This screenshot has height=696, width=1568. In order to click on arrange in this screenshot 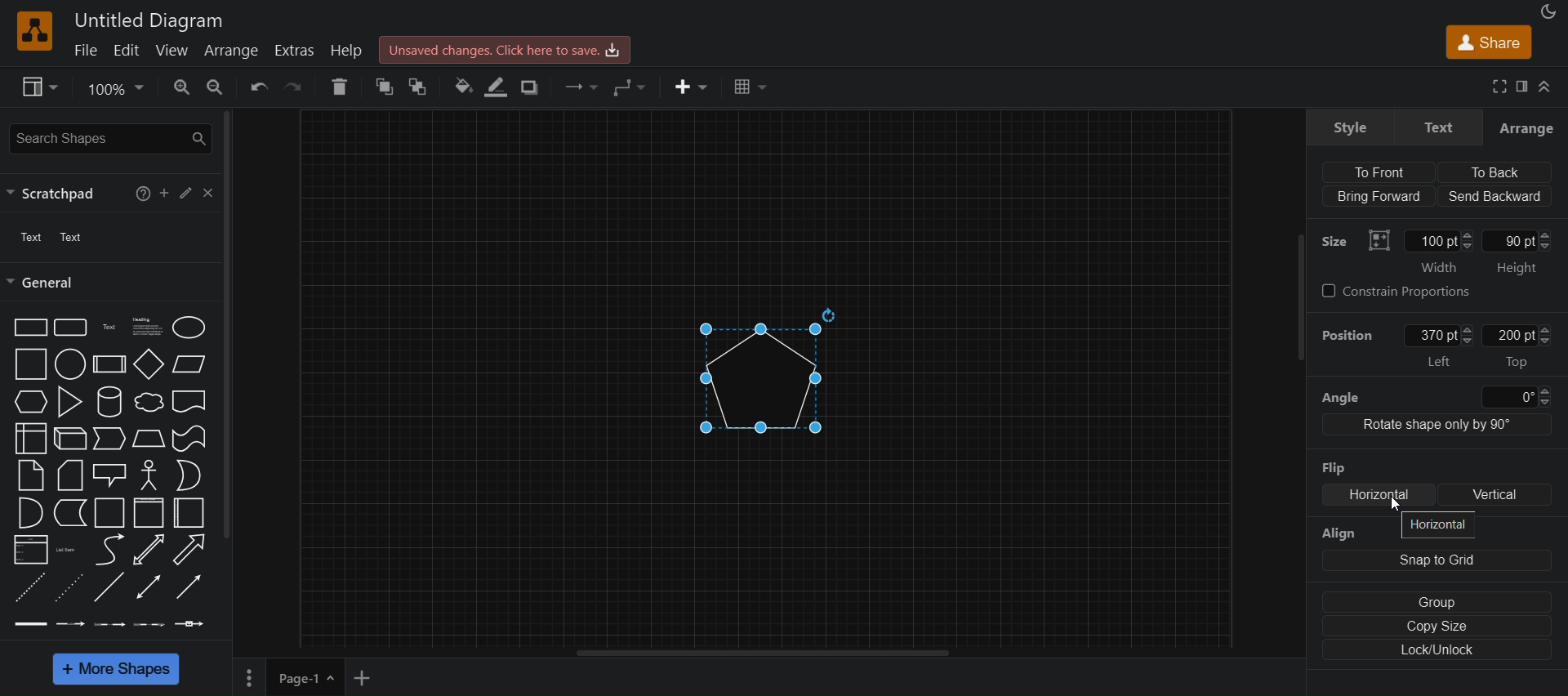, I will do `click(233, 51)`.